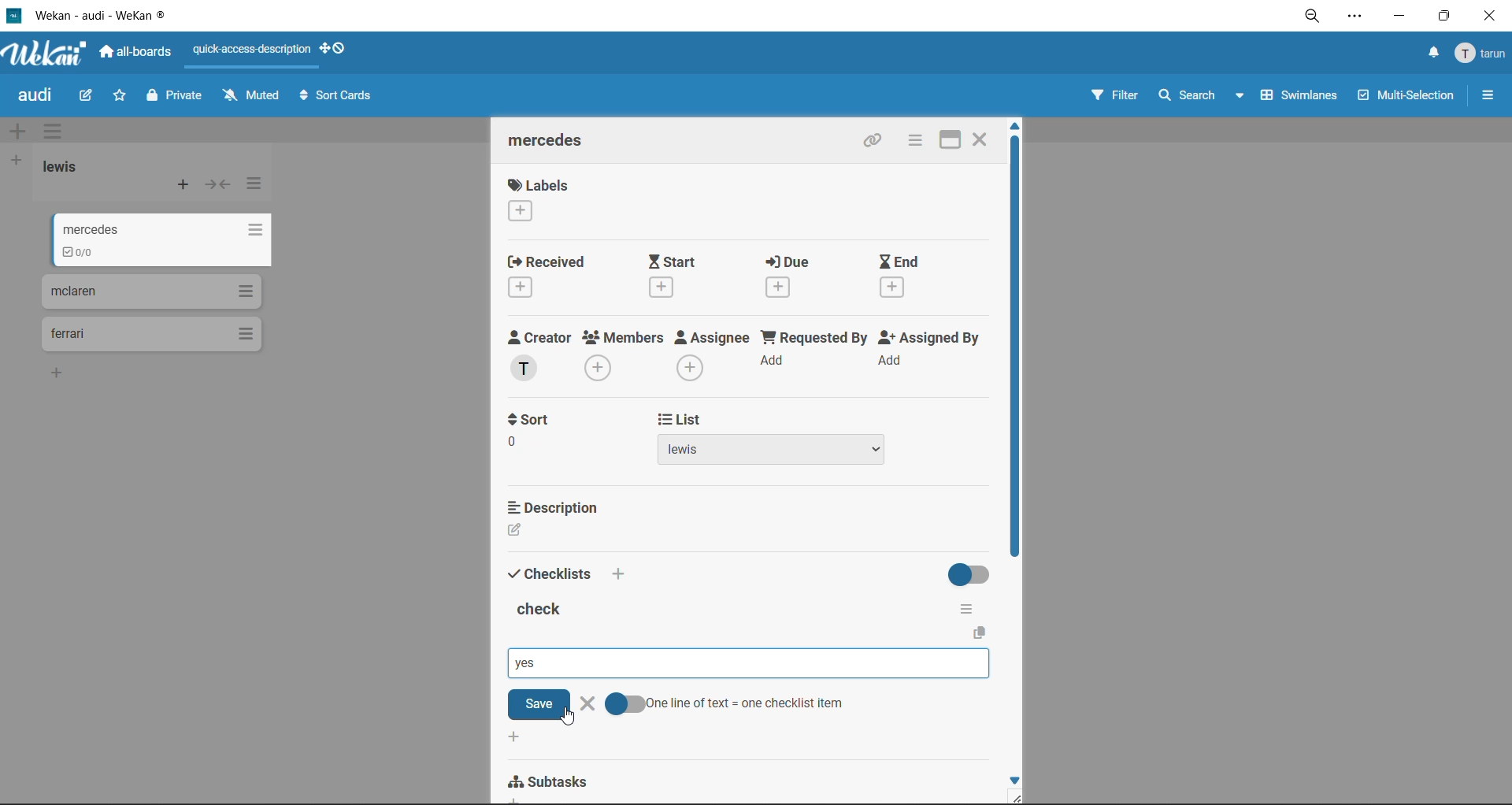 The height and width of the screenshot is (805, 1512). Describe the element at coordinates (150, 337) in the screenshot. I see `cards` at that location.